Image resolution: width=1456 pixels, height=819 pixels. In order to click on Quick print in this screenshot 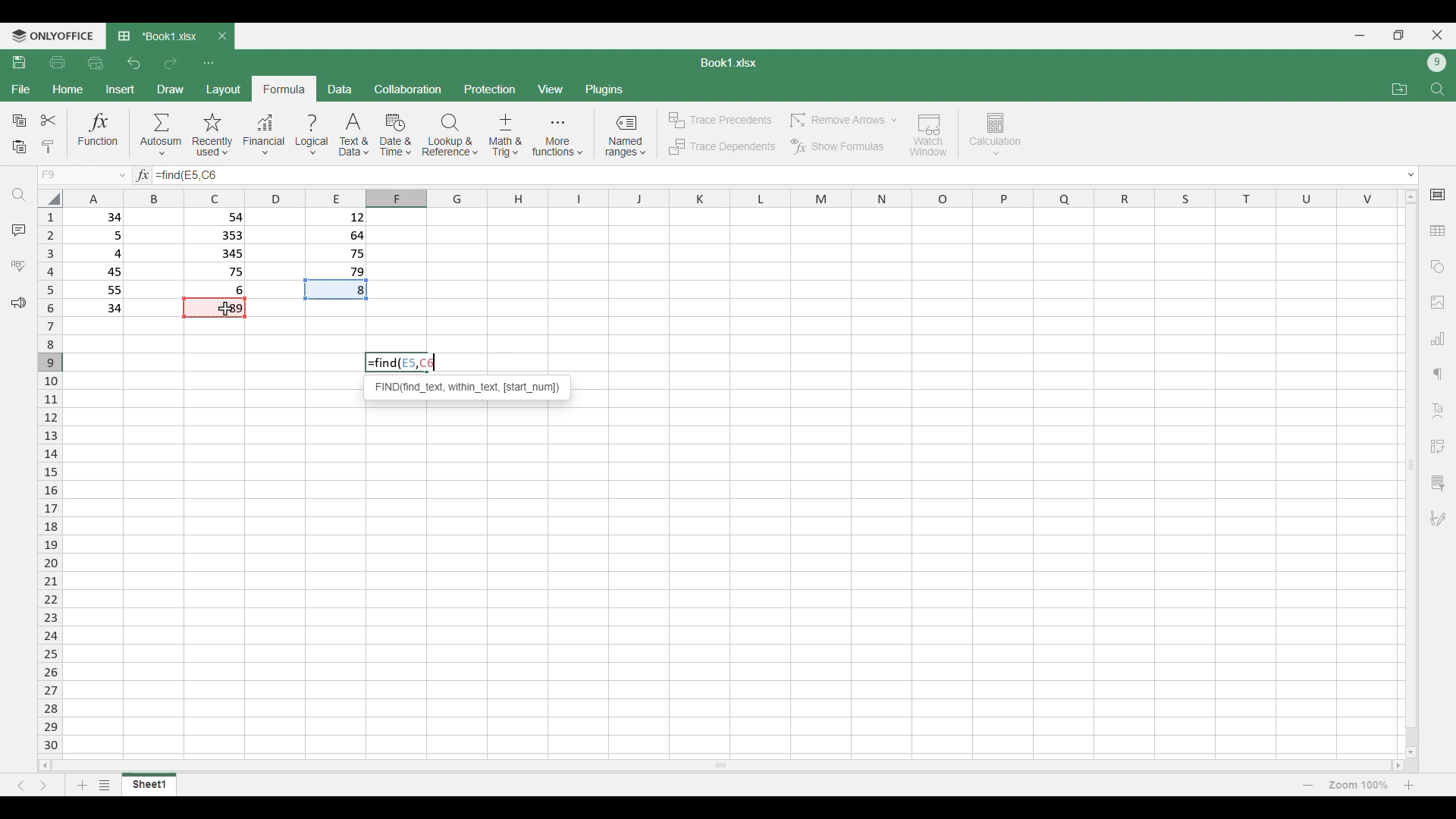, I will do `click(96, 64)`.